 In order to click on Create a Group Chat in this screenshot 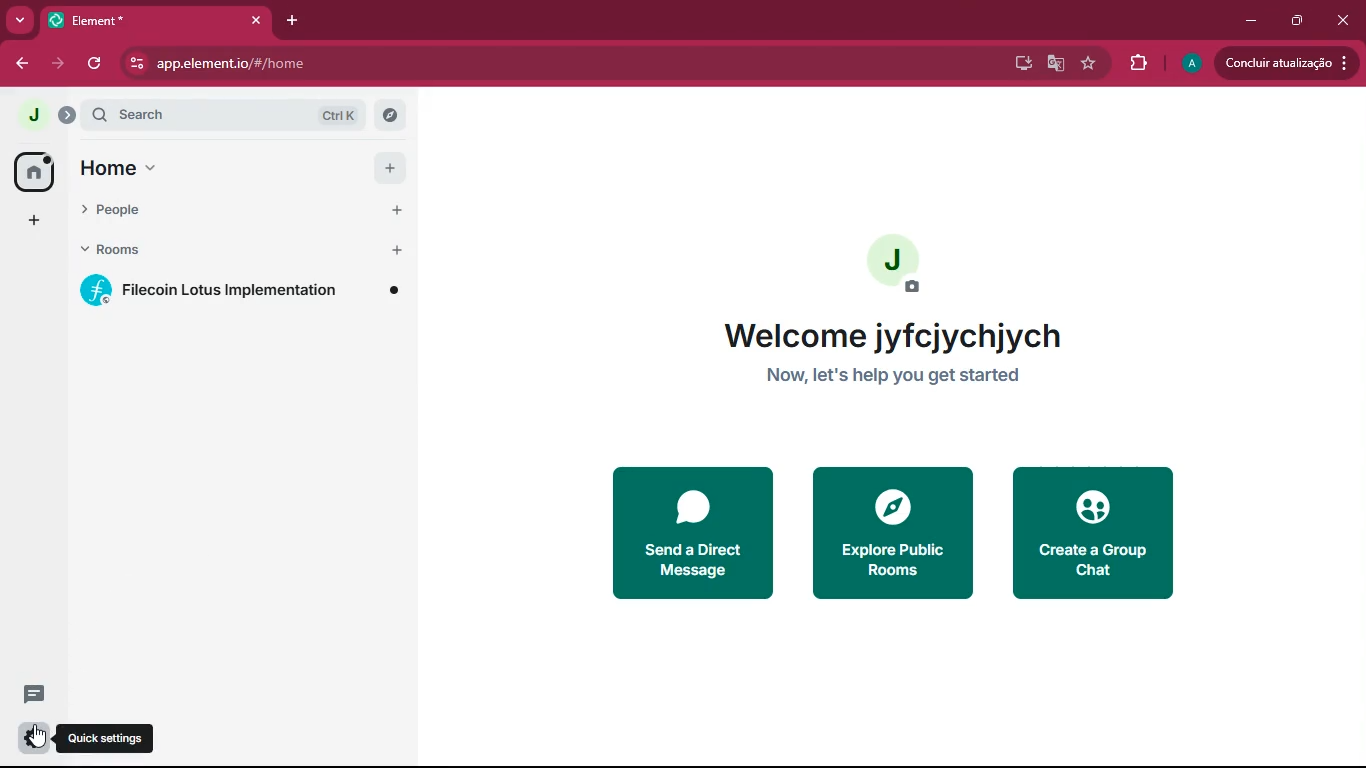, I will do `click(1104, 532)`.